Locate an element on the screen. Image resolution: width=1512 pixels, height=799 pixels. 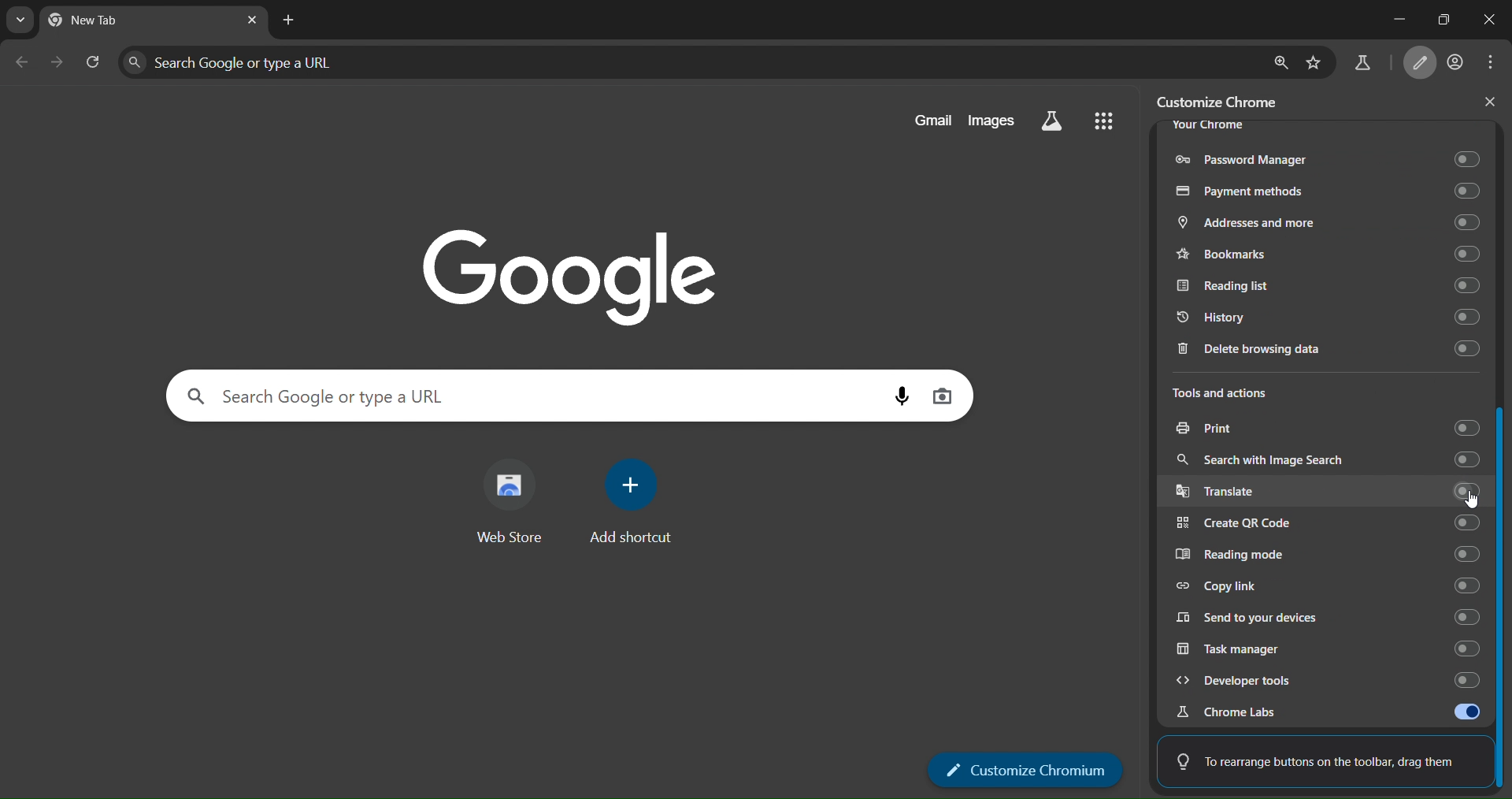
voice search is located at coordinates (894, 399).